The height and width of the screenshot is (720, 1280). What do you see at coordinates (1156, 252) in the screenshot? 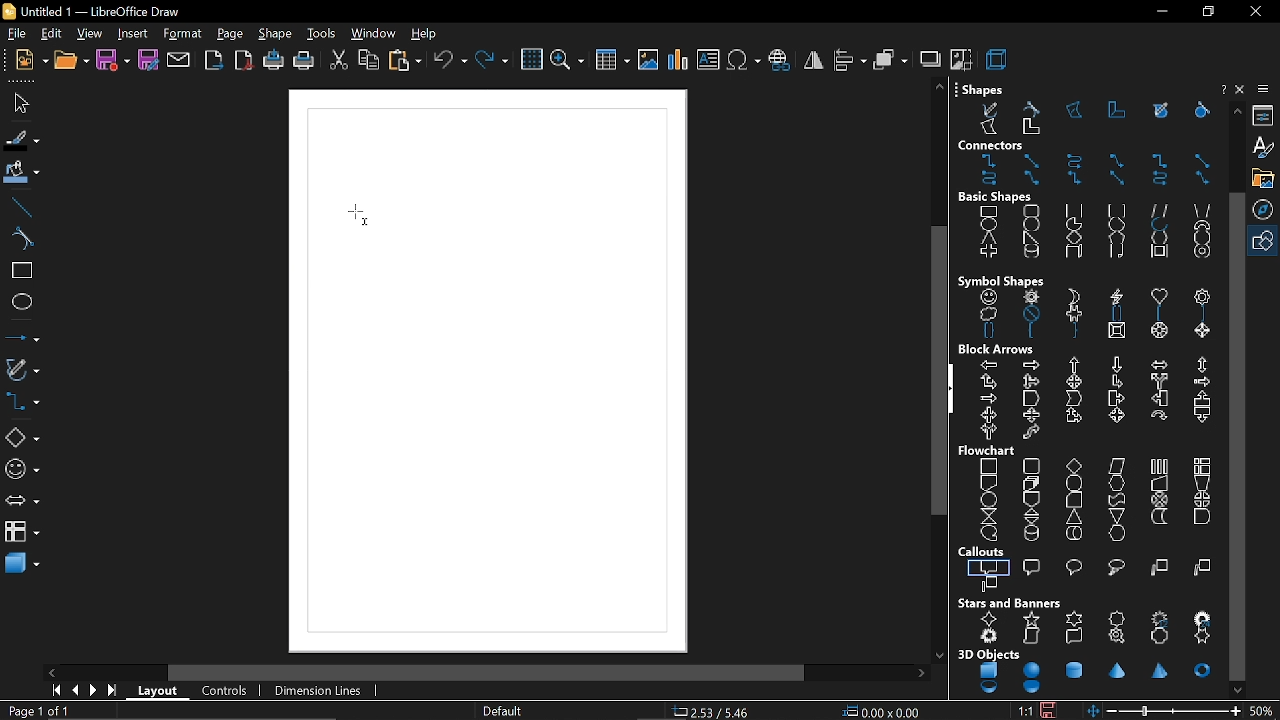
I see `frame` at bounding box center [1156, 252].